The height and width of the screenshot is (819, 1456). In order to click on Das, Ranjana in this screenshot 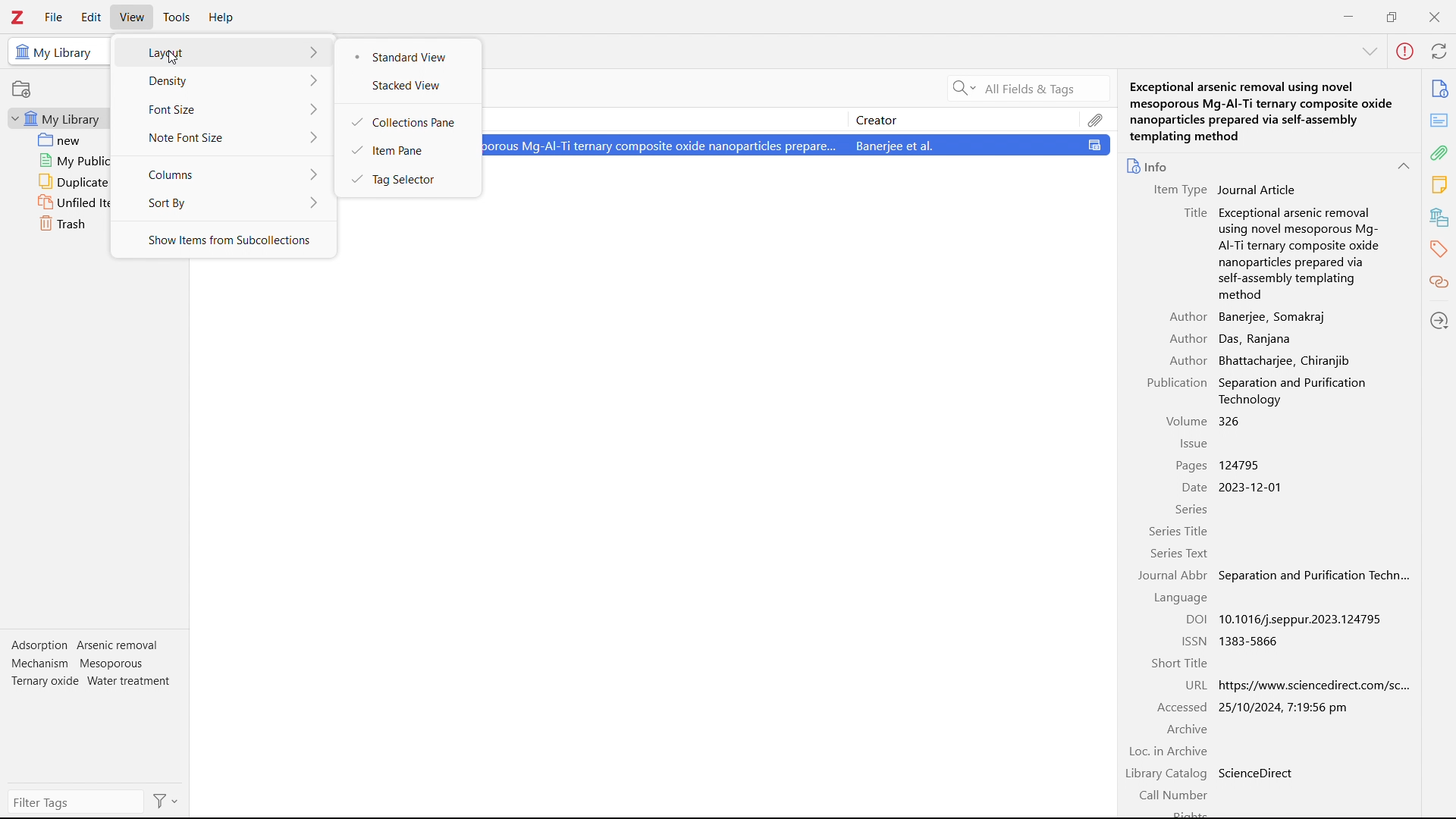, I will do `click(1255, 338)`.